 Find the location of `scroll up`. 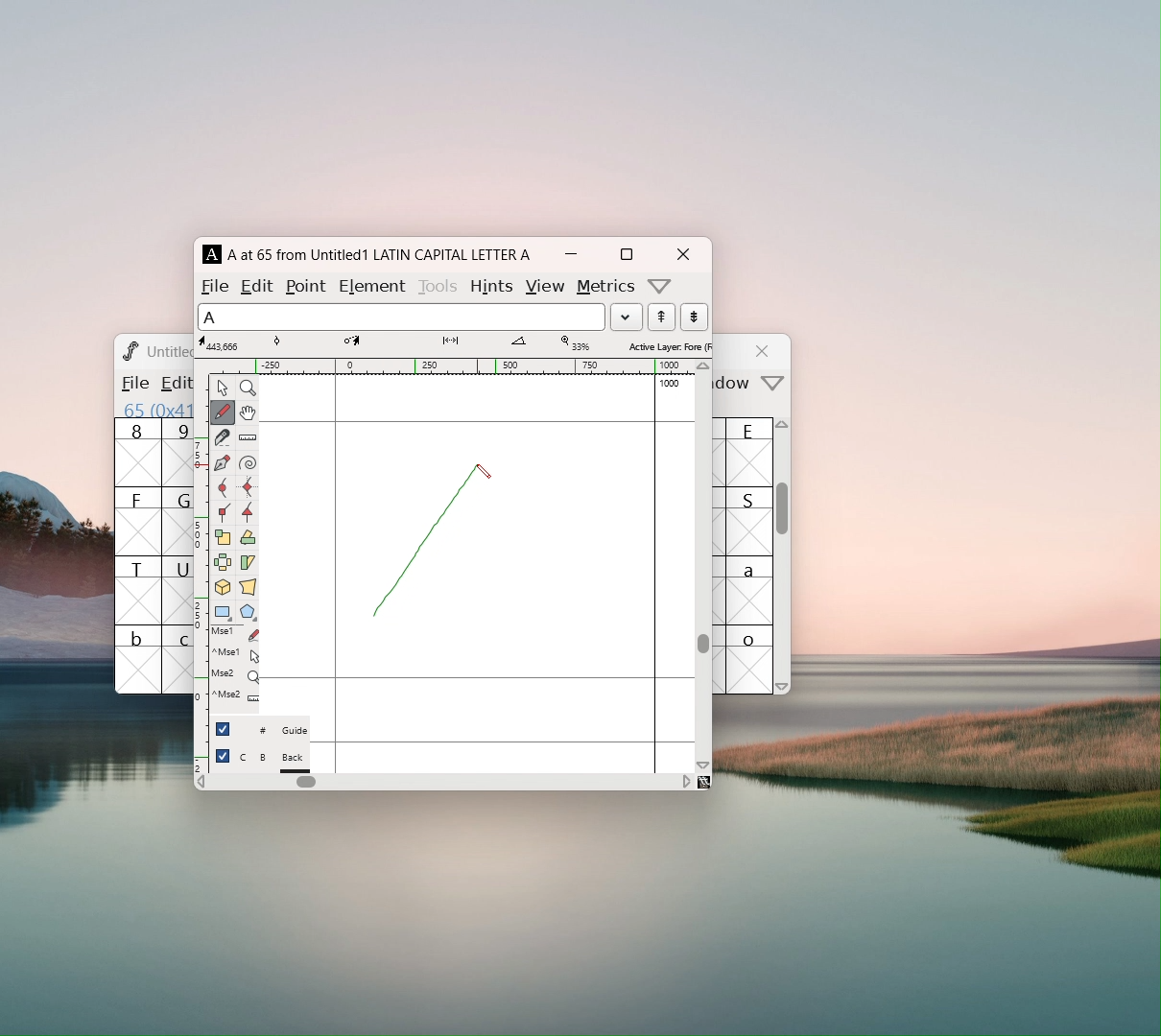

scroll up is located at coordinates (704, 366).